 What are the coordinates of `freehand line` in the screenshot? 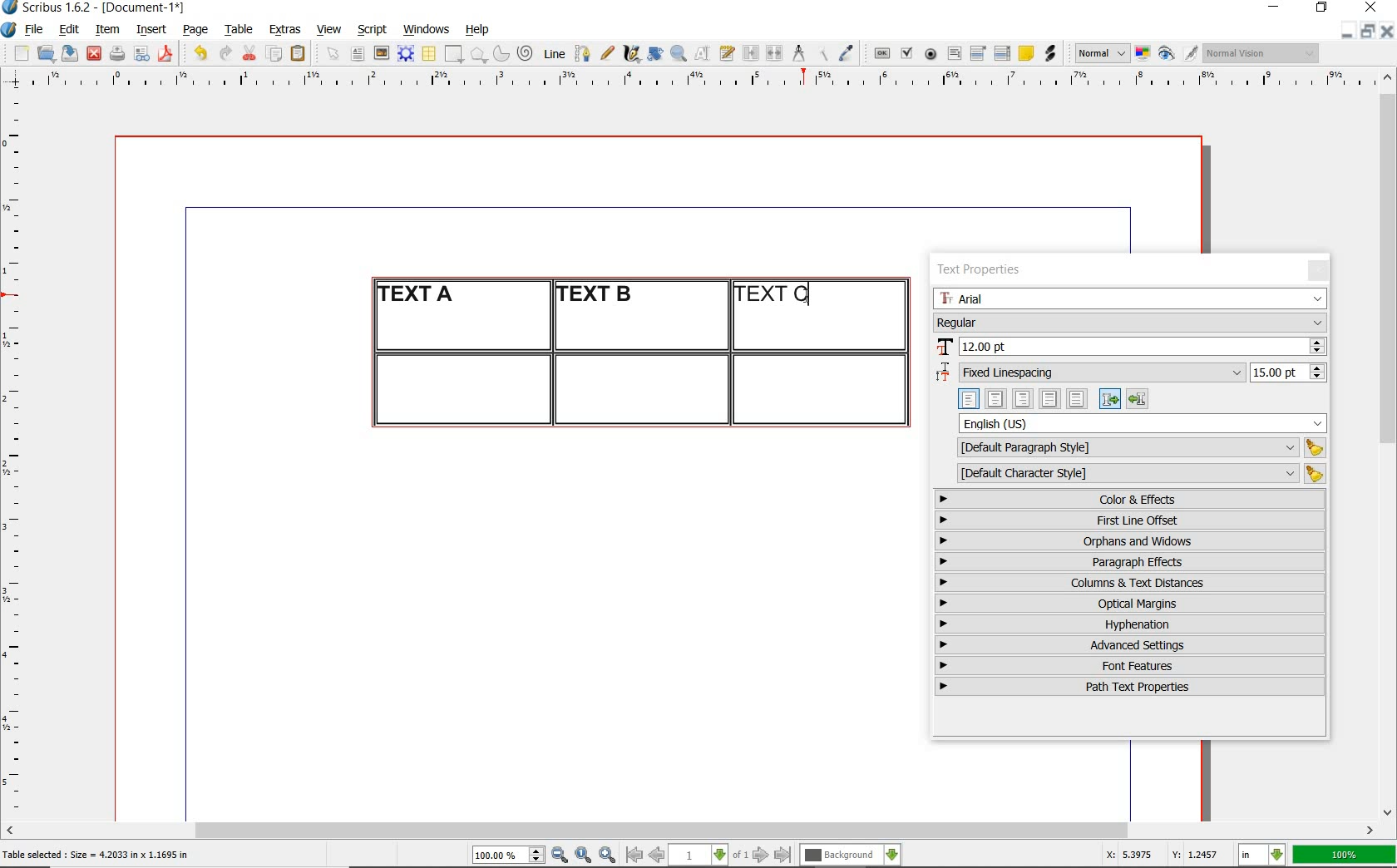 It's located at (607, 53).